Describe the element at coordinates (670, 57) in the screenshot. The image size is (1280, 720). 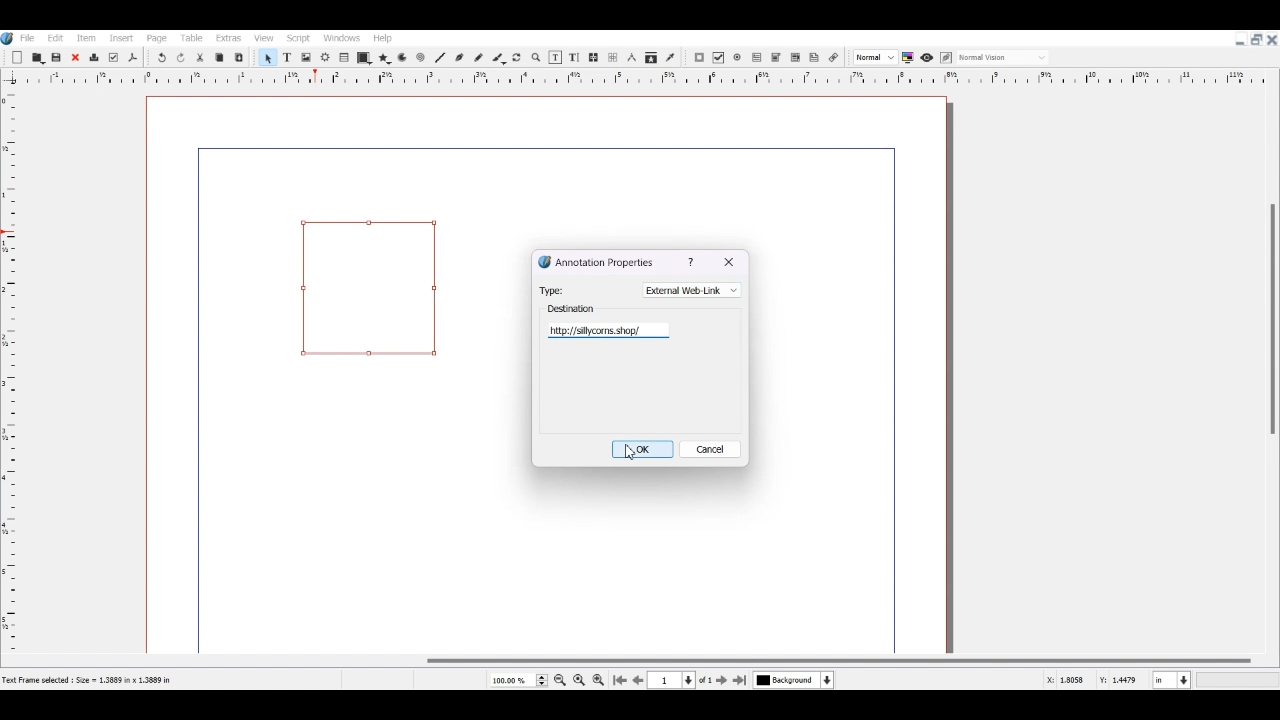
I see `Eye dropper` at that location.